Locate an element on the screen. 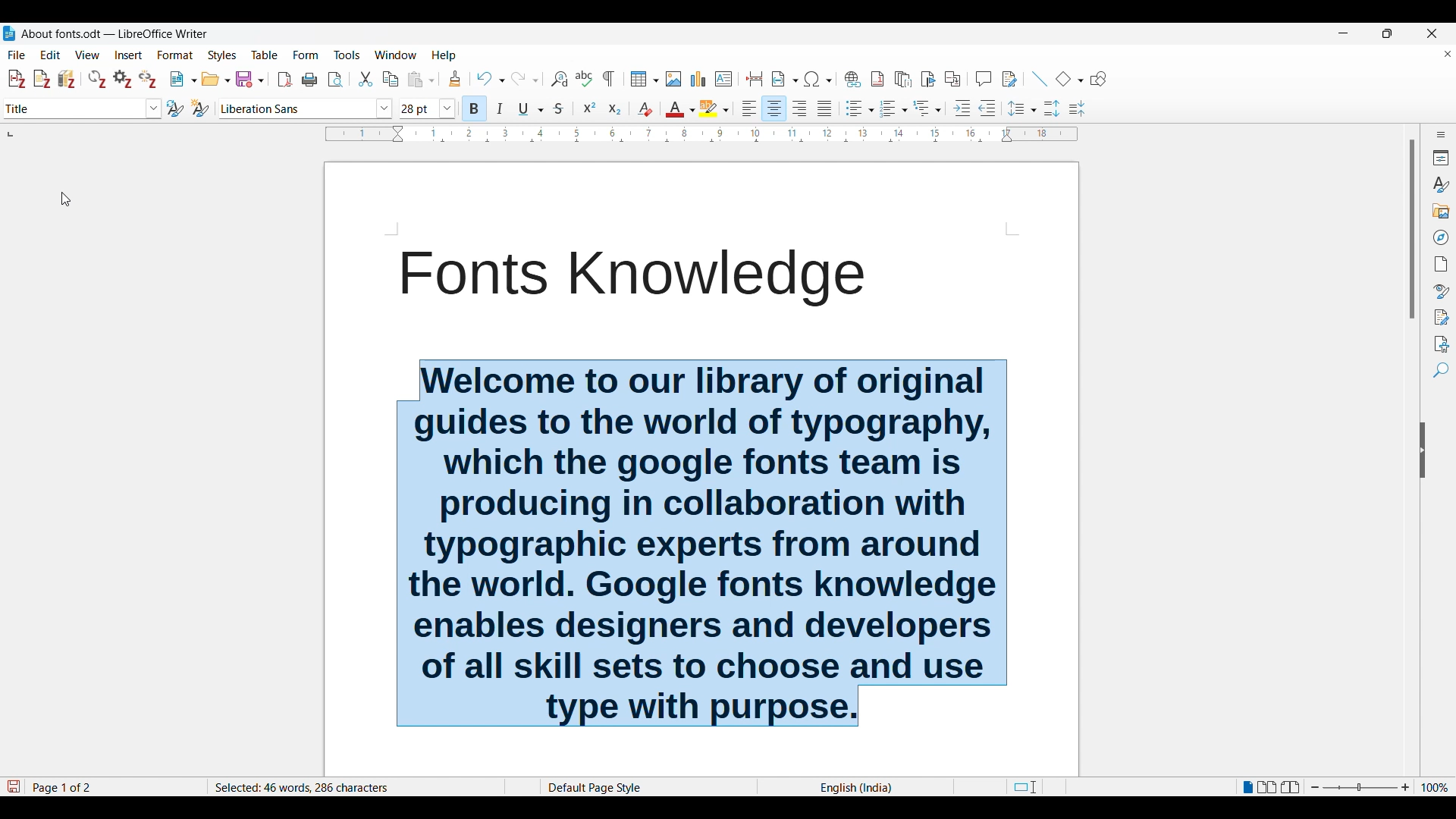  Properties is located at coordinates (1442, 158).